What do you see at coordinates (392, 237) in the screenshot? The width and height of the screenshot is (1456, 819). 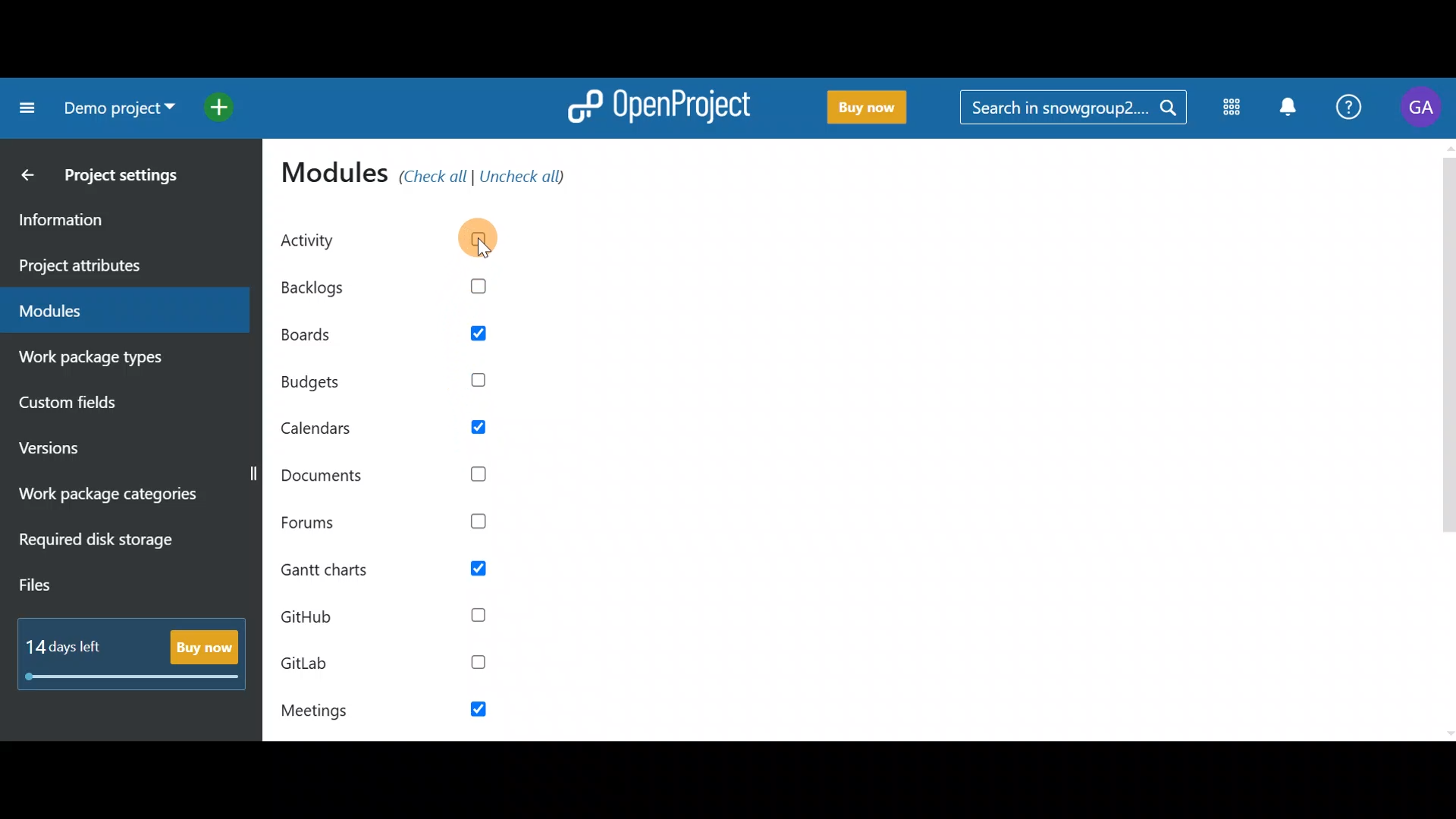 I see `Activity` at bounding box center [392, 237].